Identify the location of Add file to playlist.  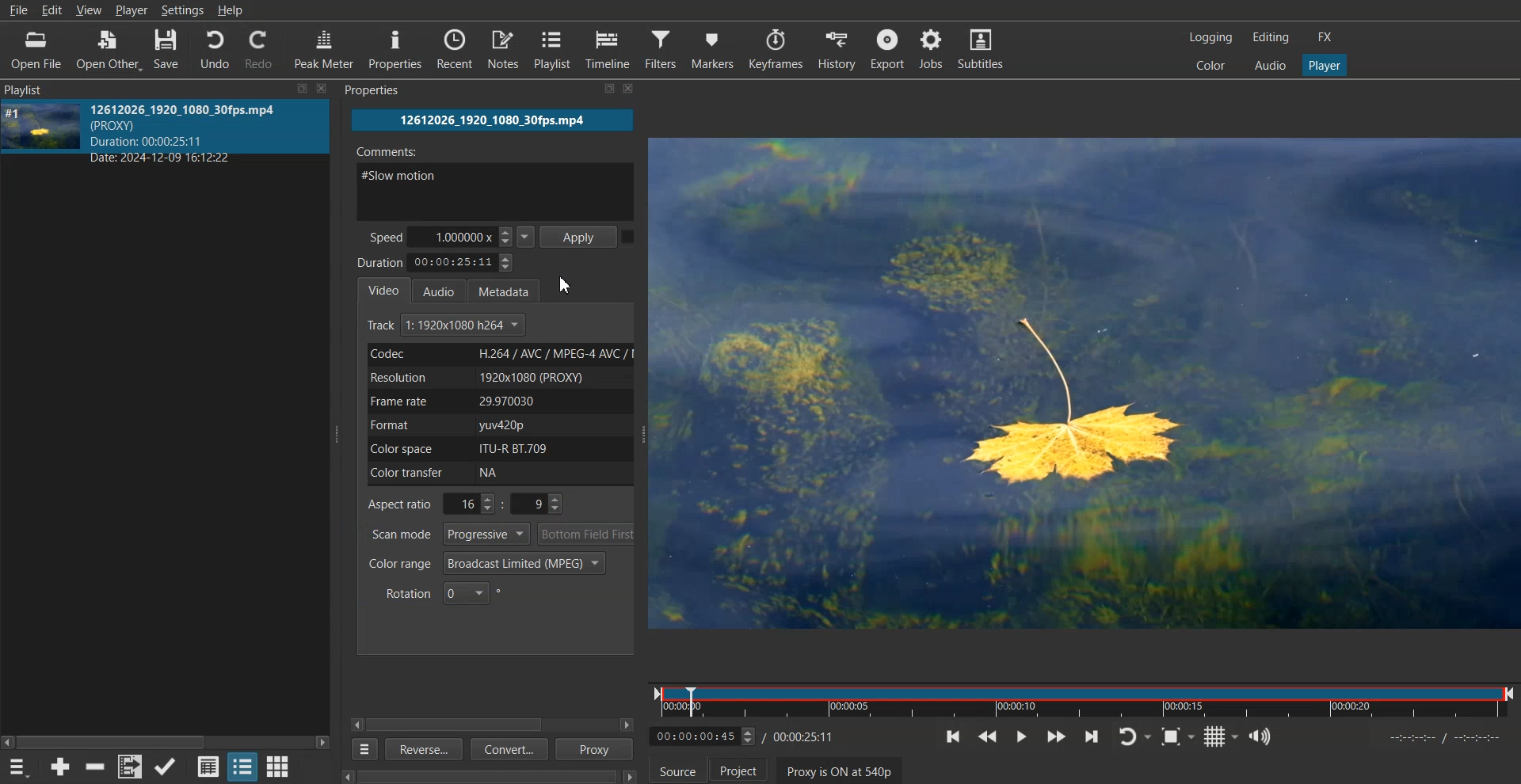
(129, 767).